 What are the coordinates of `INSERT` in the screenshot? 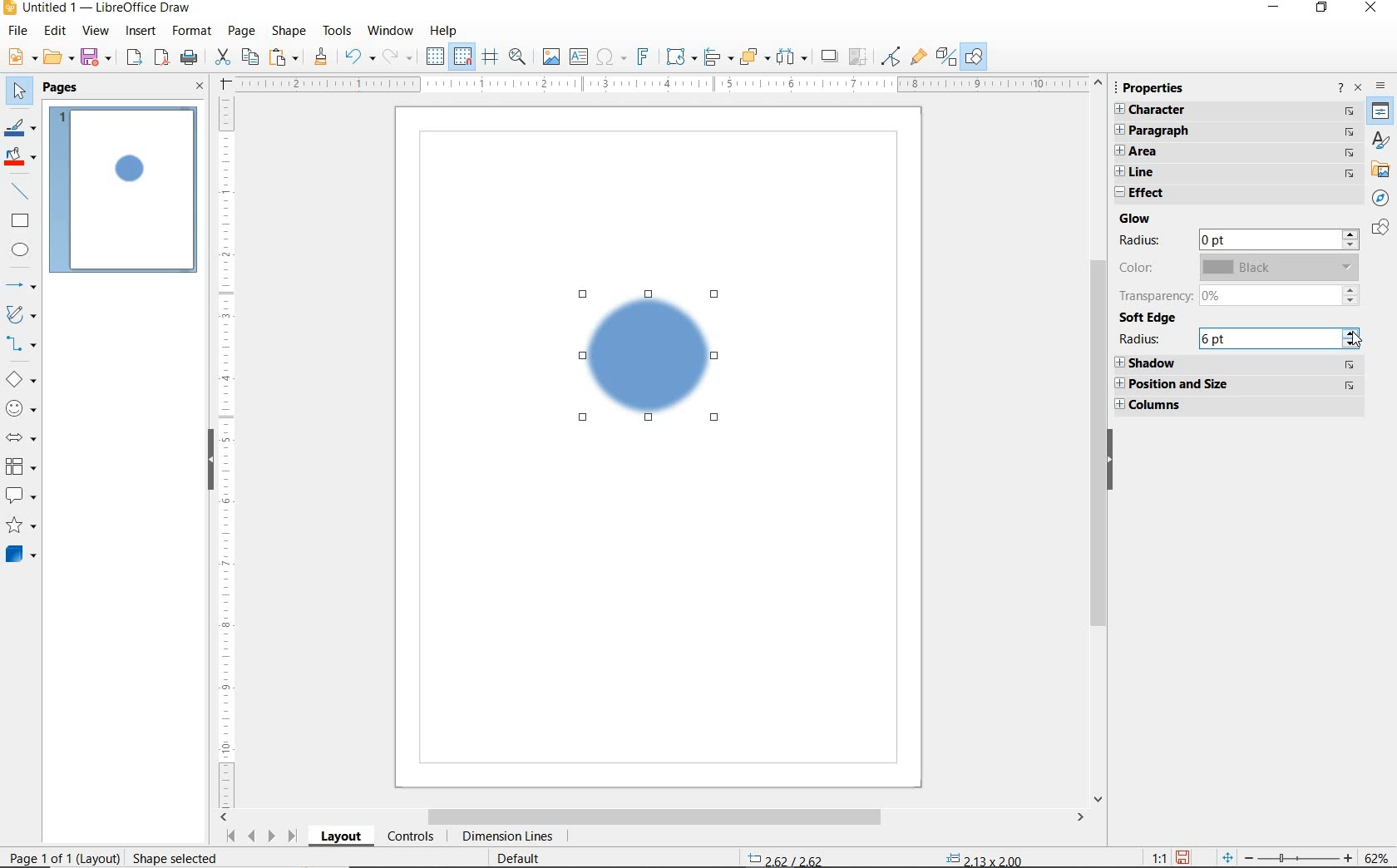 It's located at (141, 32).